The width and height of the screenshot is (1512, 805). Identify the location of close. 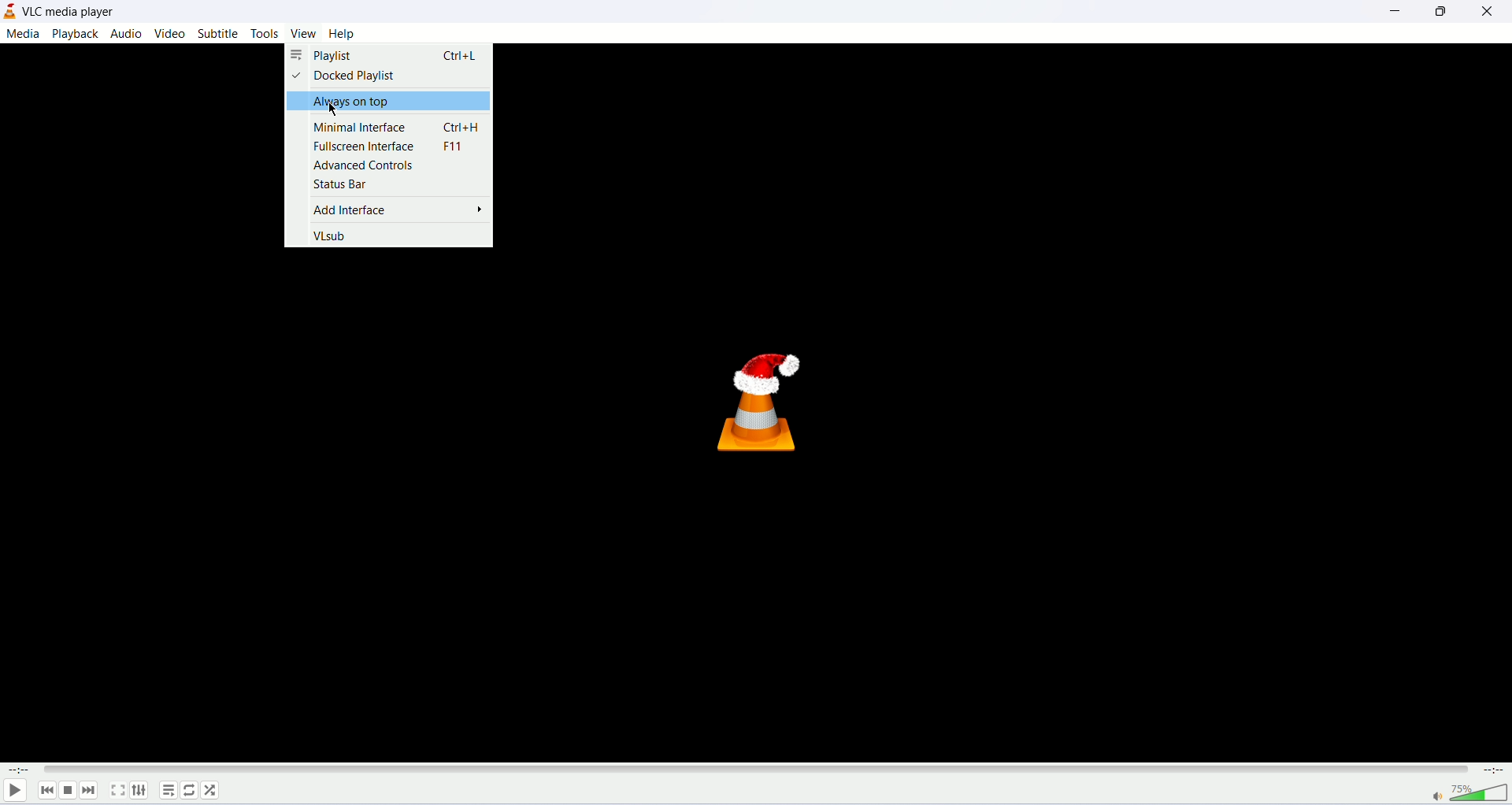
(1489, 12).